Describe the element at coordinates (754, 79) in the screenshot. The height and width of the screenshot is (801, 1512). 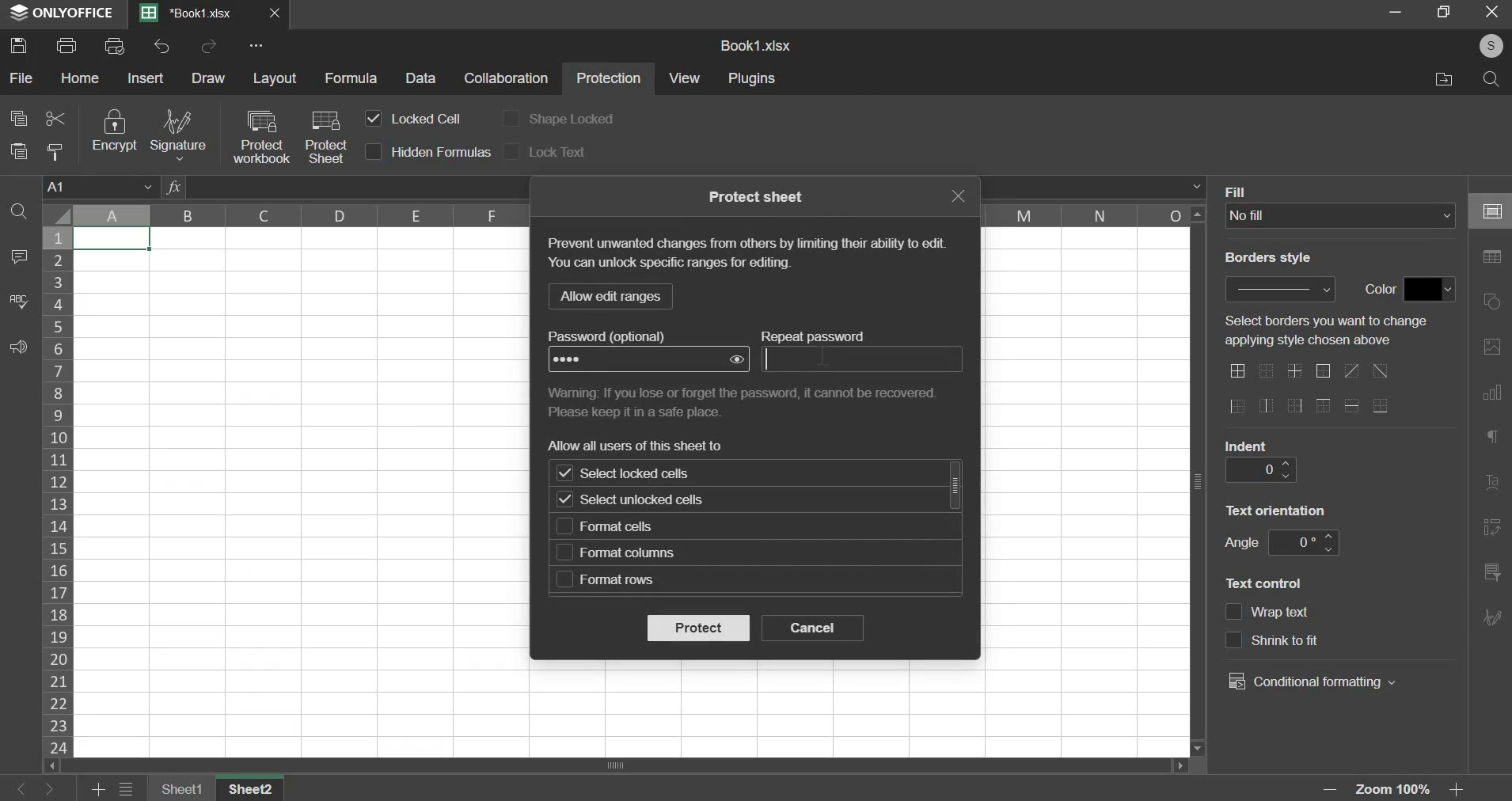
I see `plugins` at that location.